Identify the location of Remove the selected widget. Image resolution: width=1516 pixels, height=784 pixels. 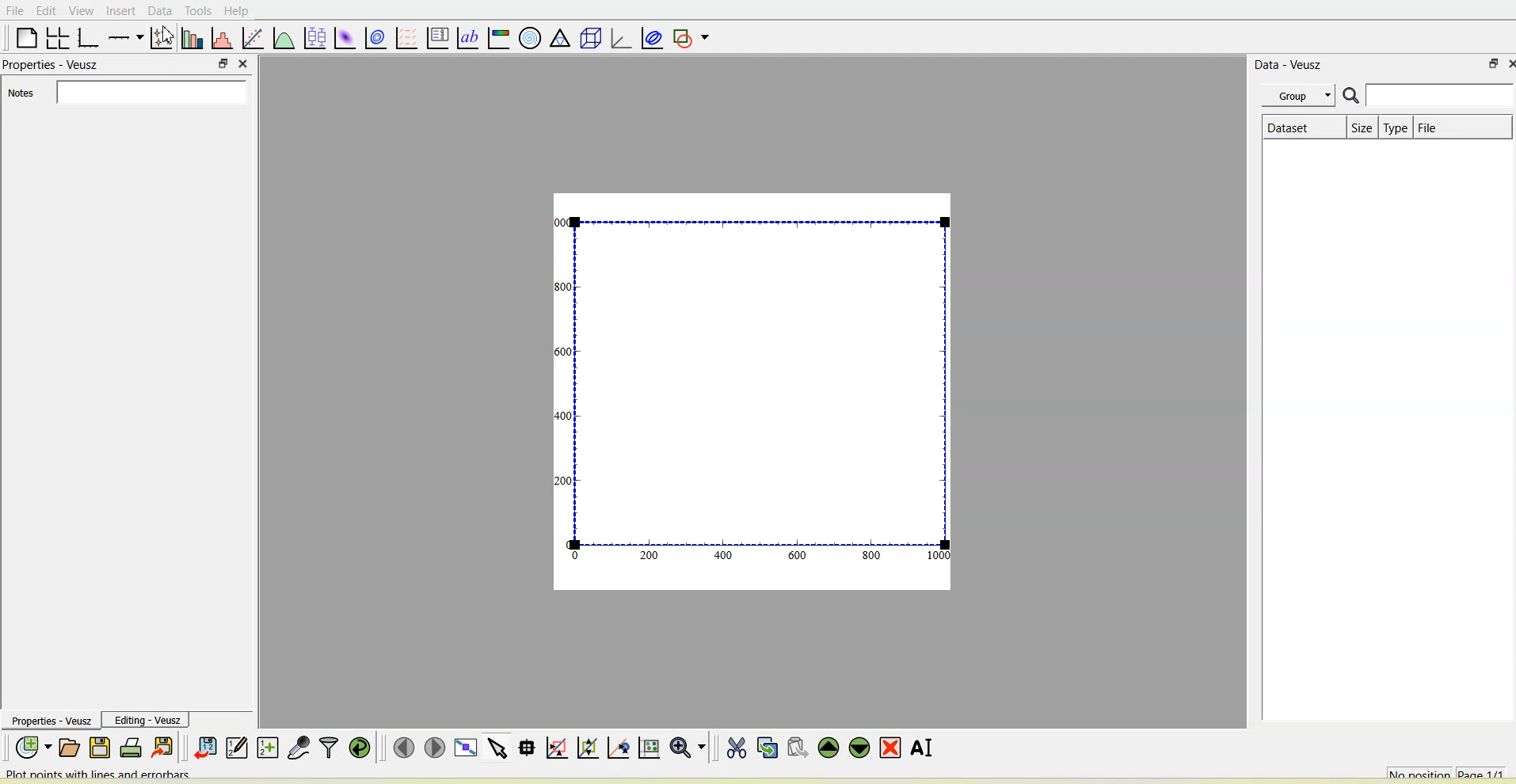
(889, 748).